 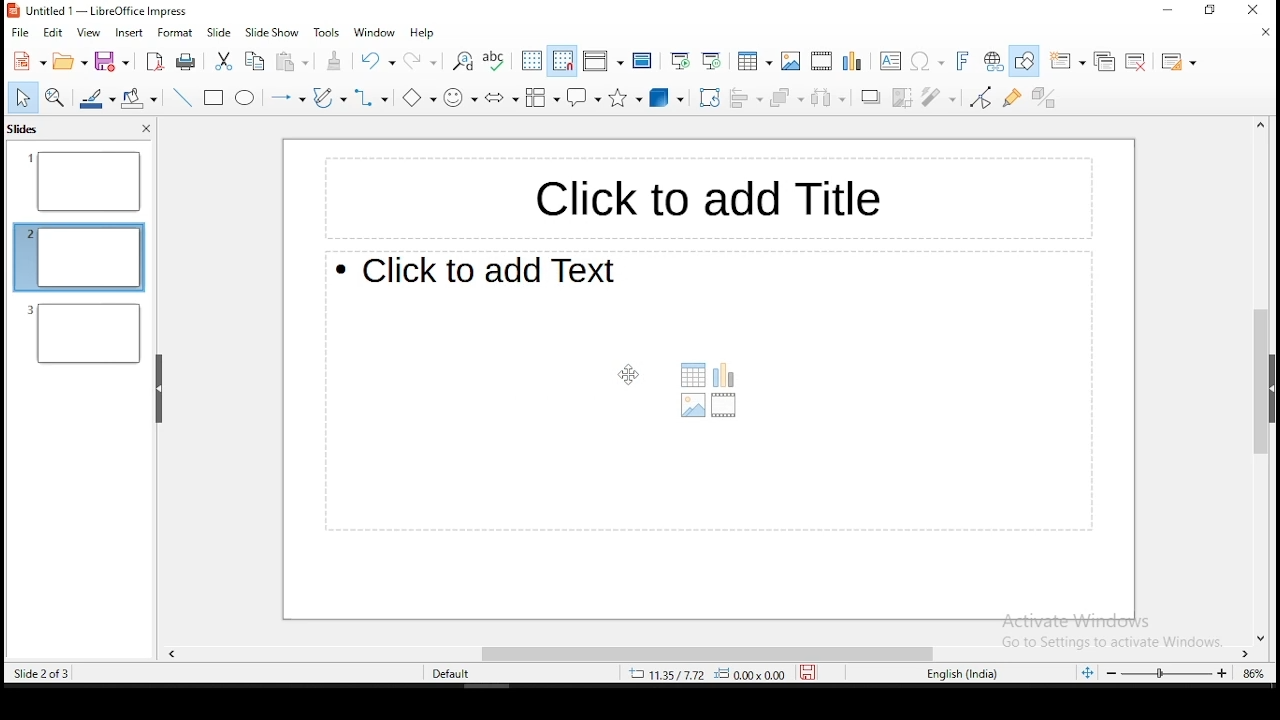 What do you see at coordinates (245, 100) in the screenshot?
I see `ellipse` at bounding box center [245, 100].